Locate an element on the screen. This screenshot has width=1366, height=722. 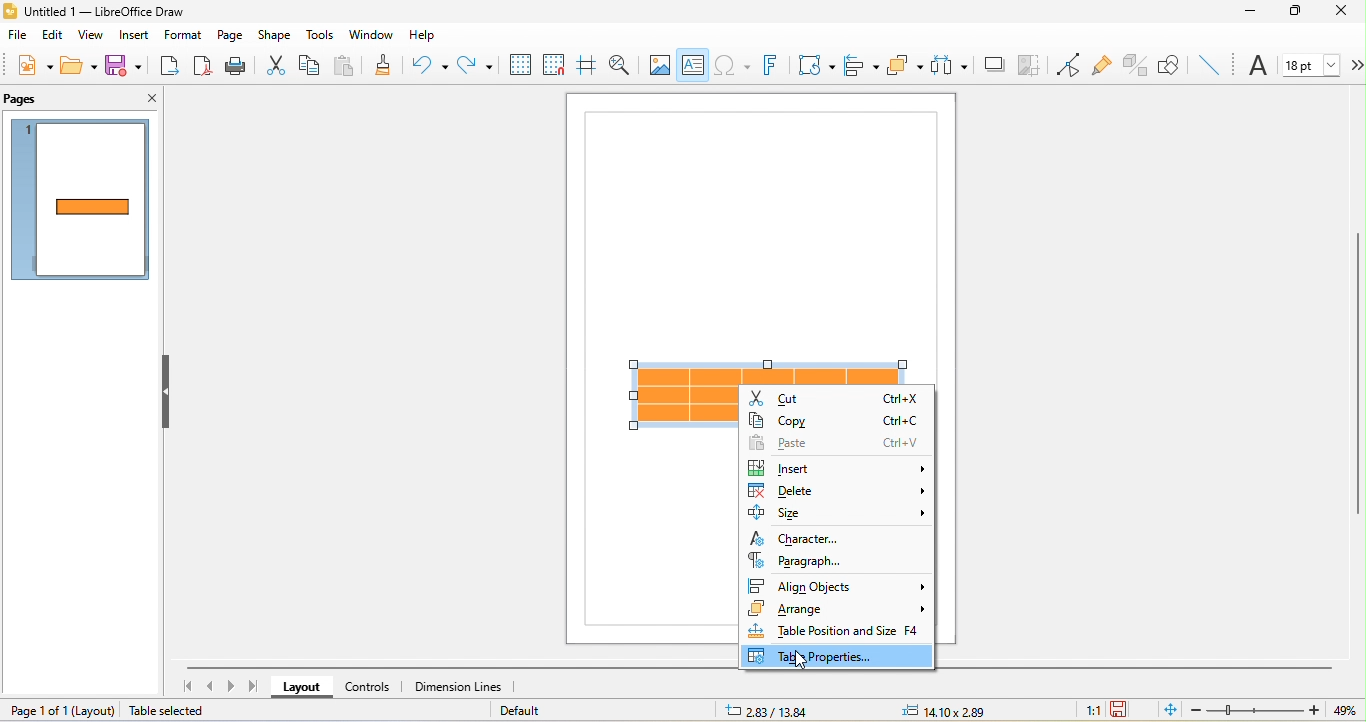
Untitled 1 — LibreOffice Draw is located at coordinates (94, 10).